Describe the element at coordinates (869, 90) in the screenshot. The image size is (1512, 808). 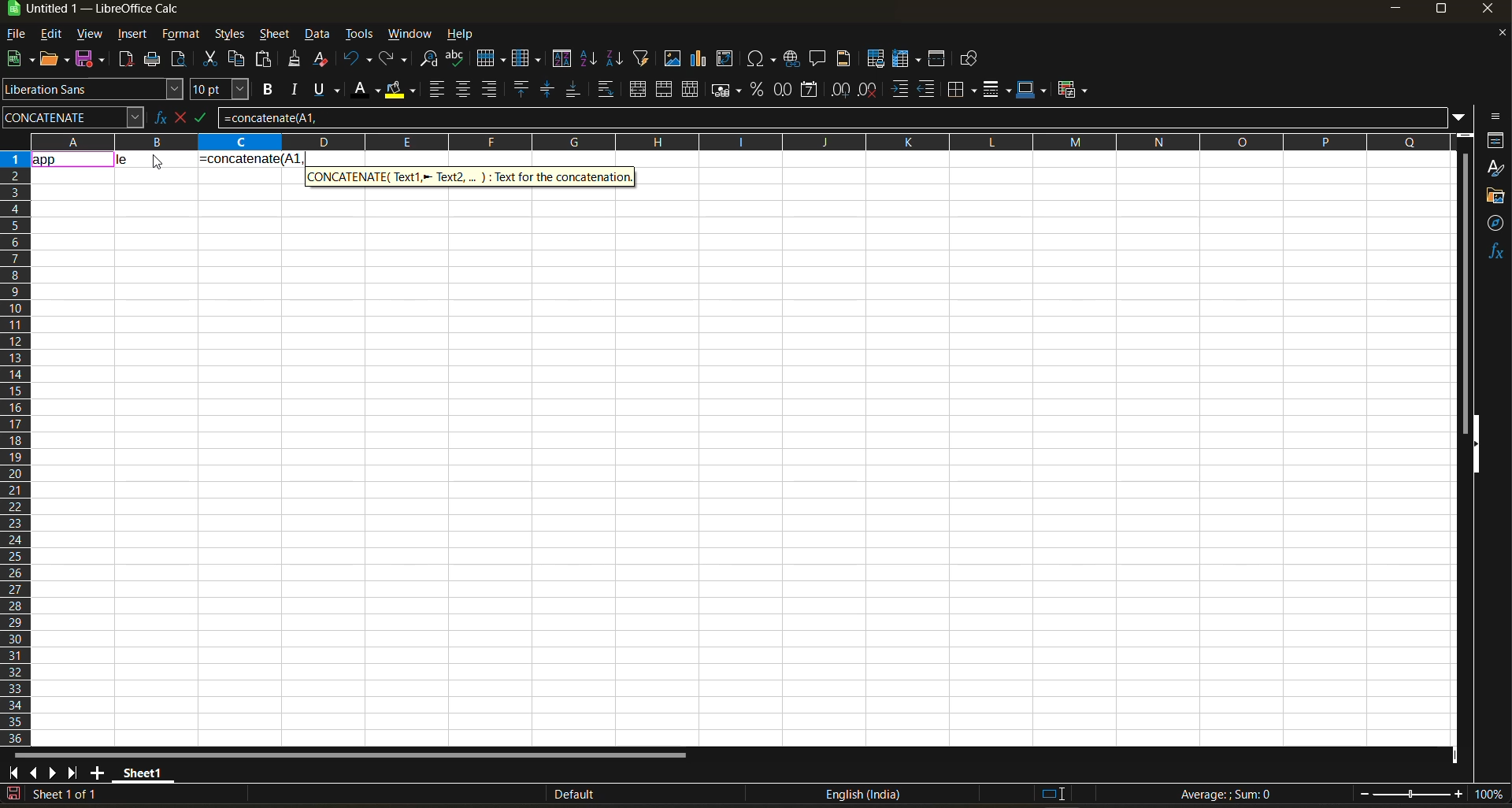
I see `delete decimal place` at that location.